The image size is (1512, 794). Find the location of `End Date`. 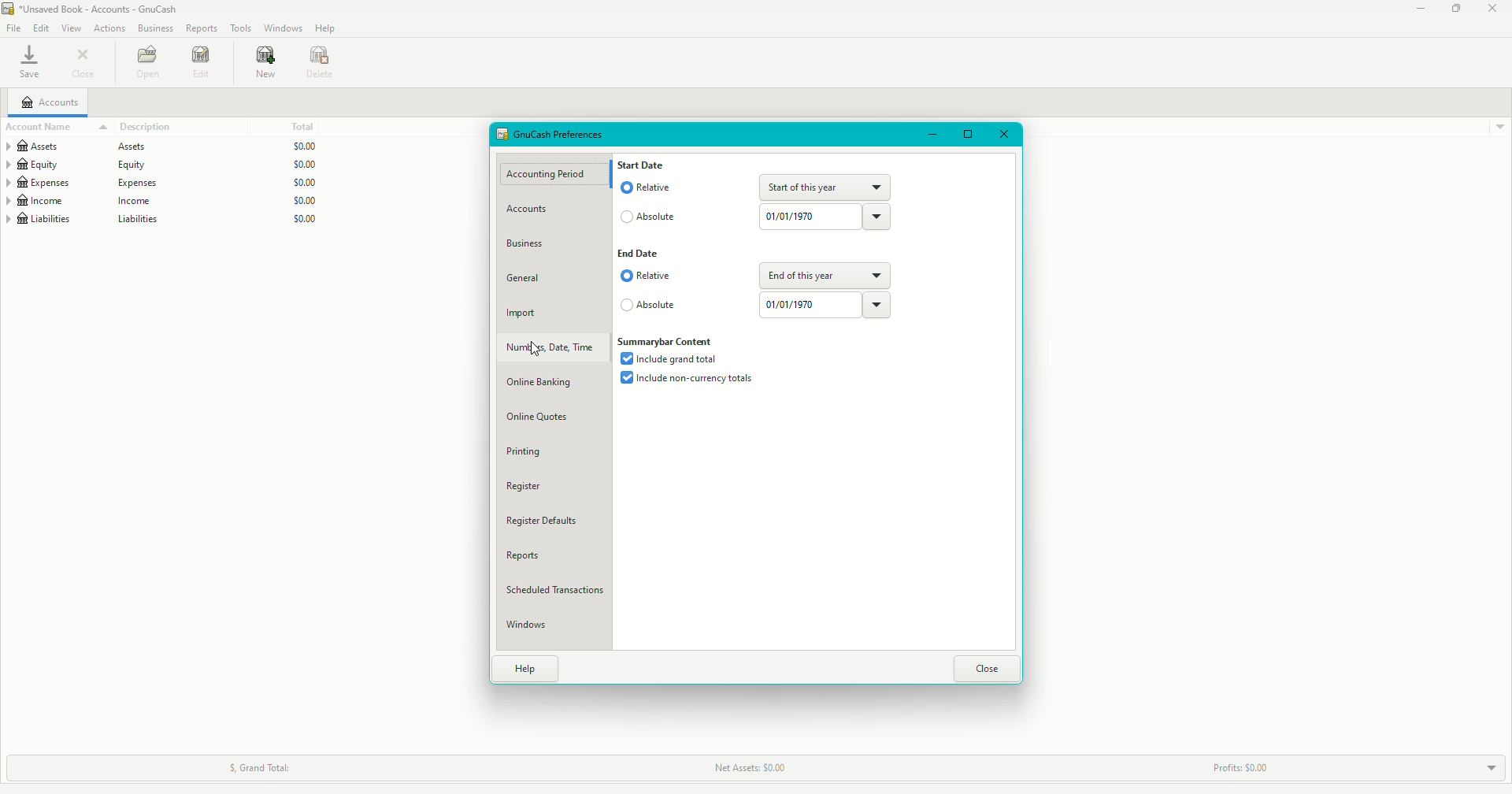

End Date is located at coordinates (639, 254).